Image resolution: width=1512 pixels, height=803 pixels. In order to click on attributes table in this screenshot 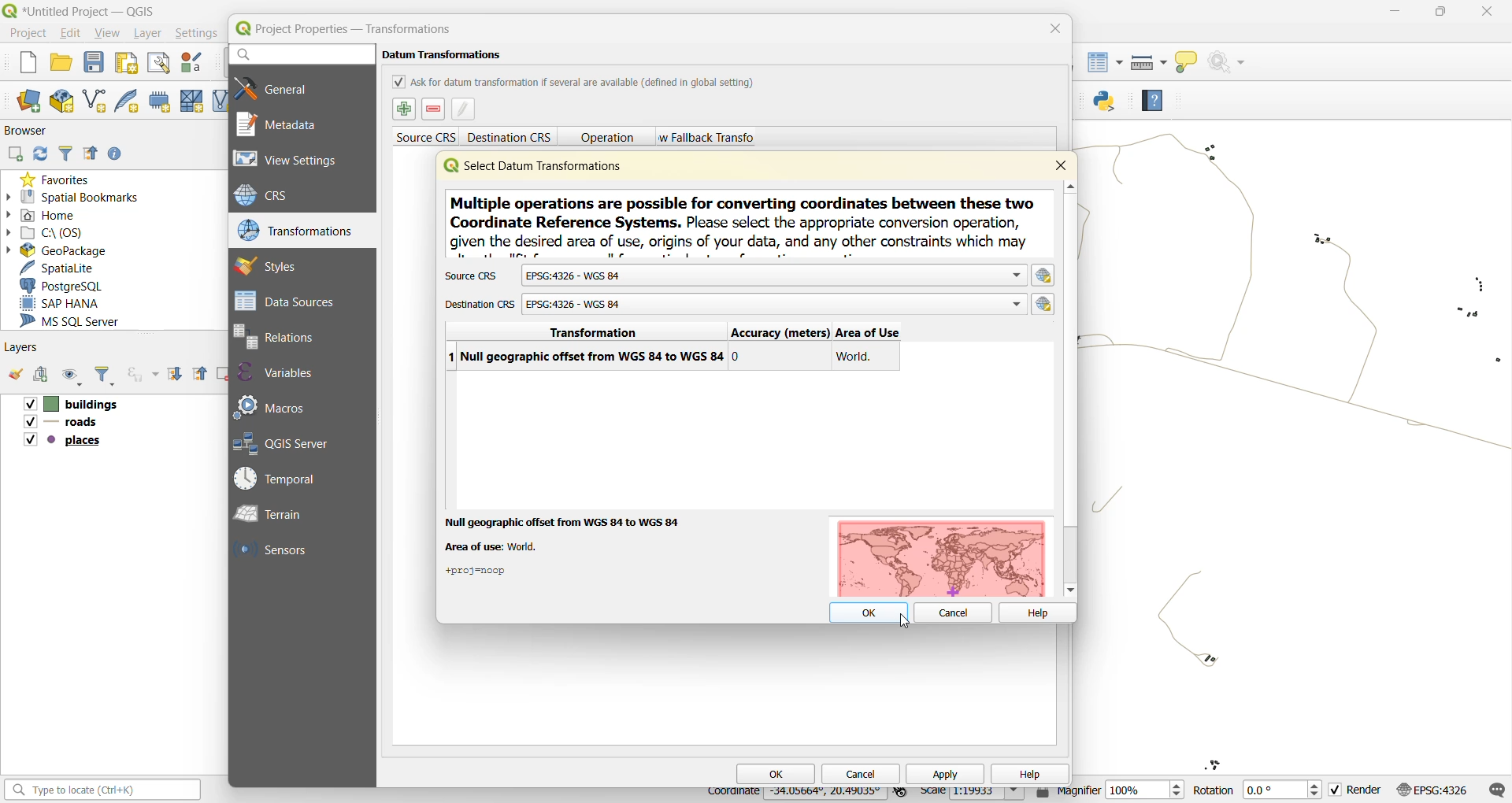, I will do `click(1106, 67)`.